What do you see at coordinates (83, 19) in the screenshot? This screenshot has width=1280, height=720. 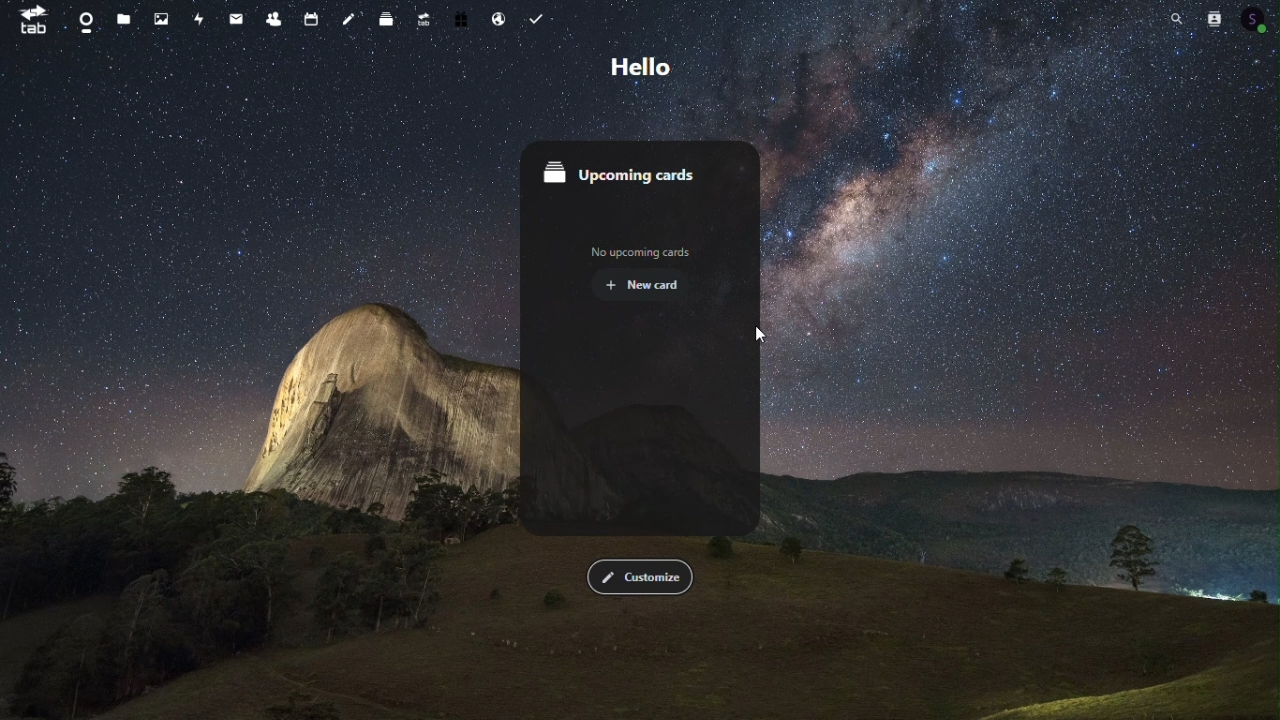 I see `dashboard` at bounding box center [83, 19].